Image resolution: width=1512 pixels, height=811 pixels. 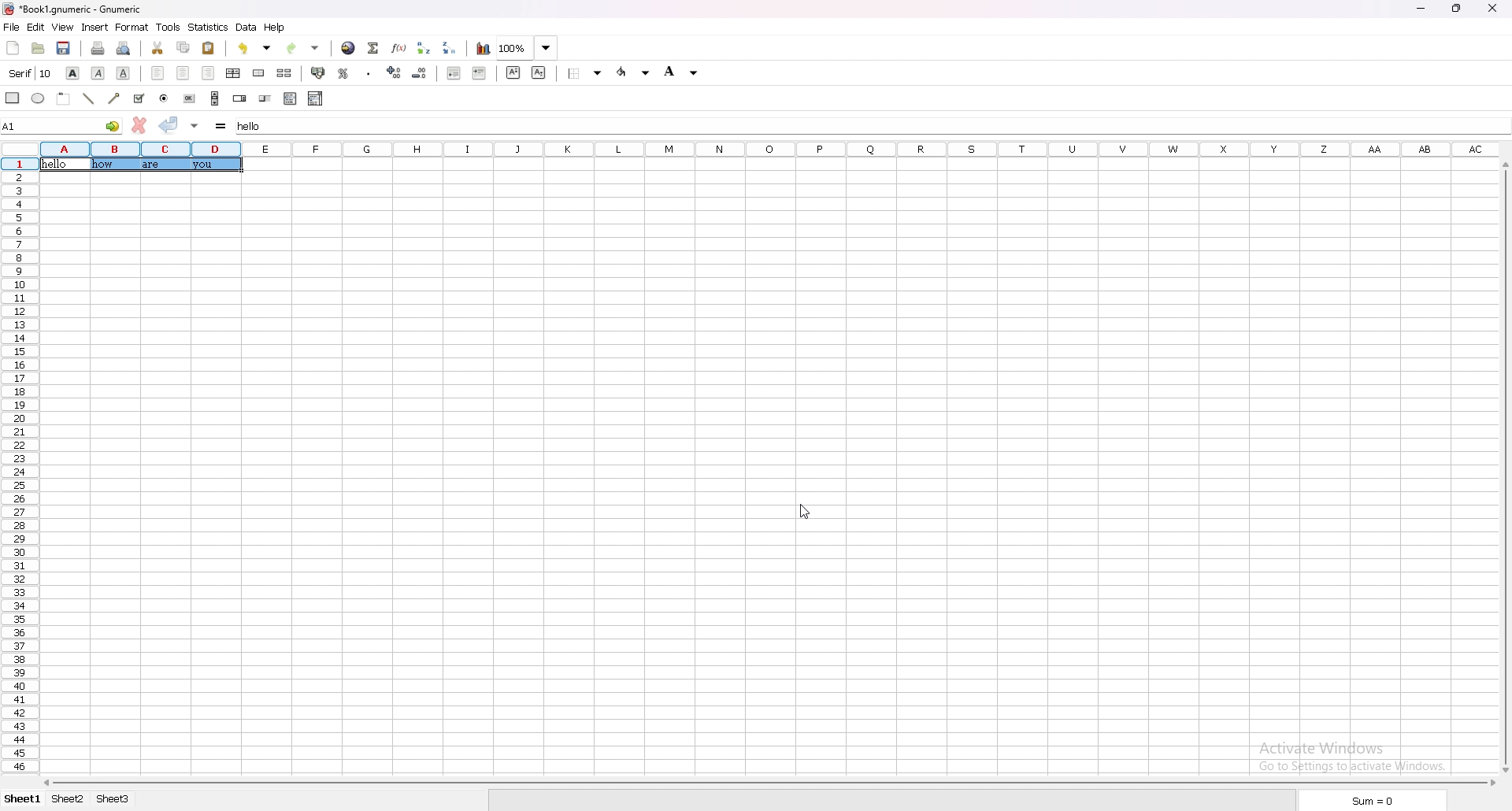 I want to click on tickbox, so click(x=138, y=98).